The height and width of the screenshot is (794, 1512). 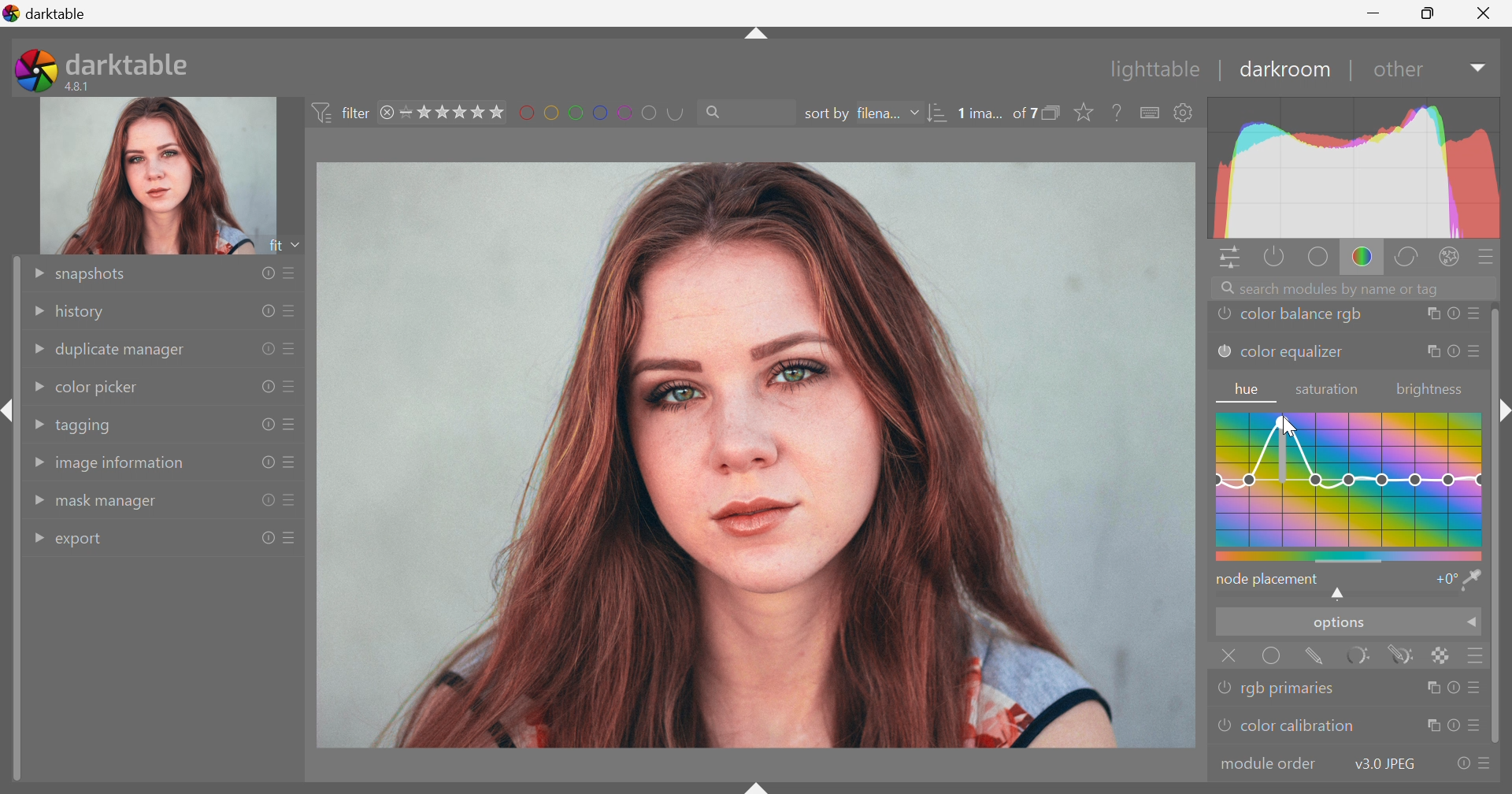 I want to click on blending options, so click(x=1480, y=655).